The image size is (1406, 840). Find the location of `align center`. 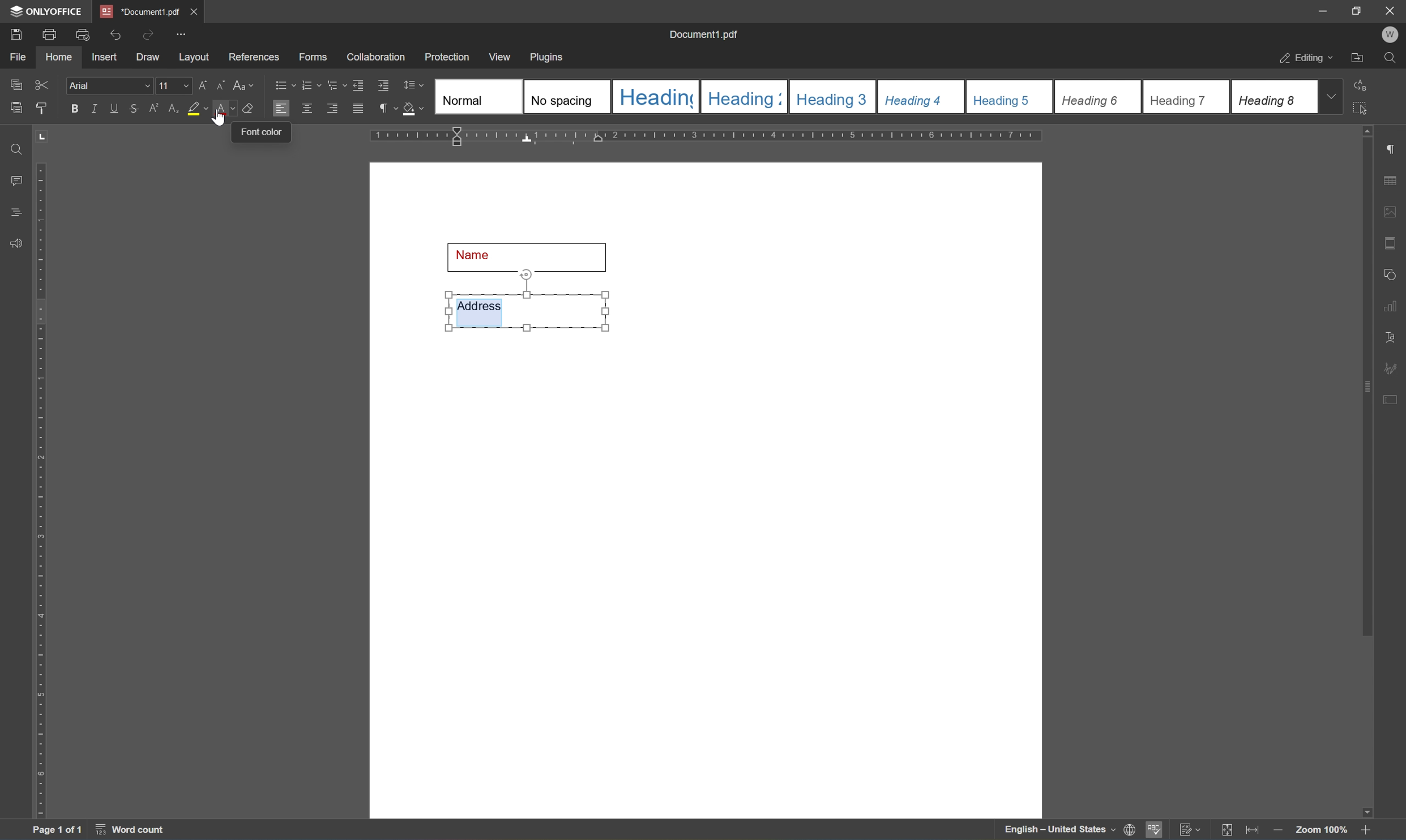

align center is located at coordinates (306, 108).